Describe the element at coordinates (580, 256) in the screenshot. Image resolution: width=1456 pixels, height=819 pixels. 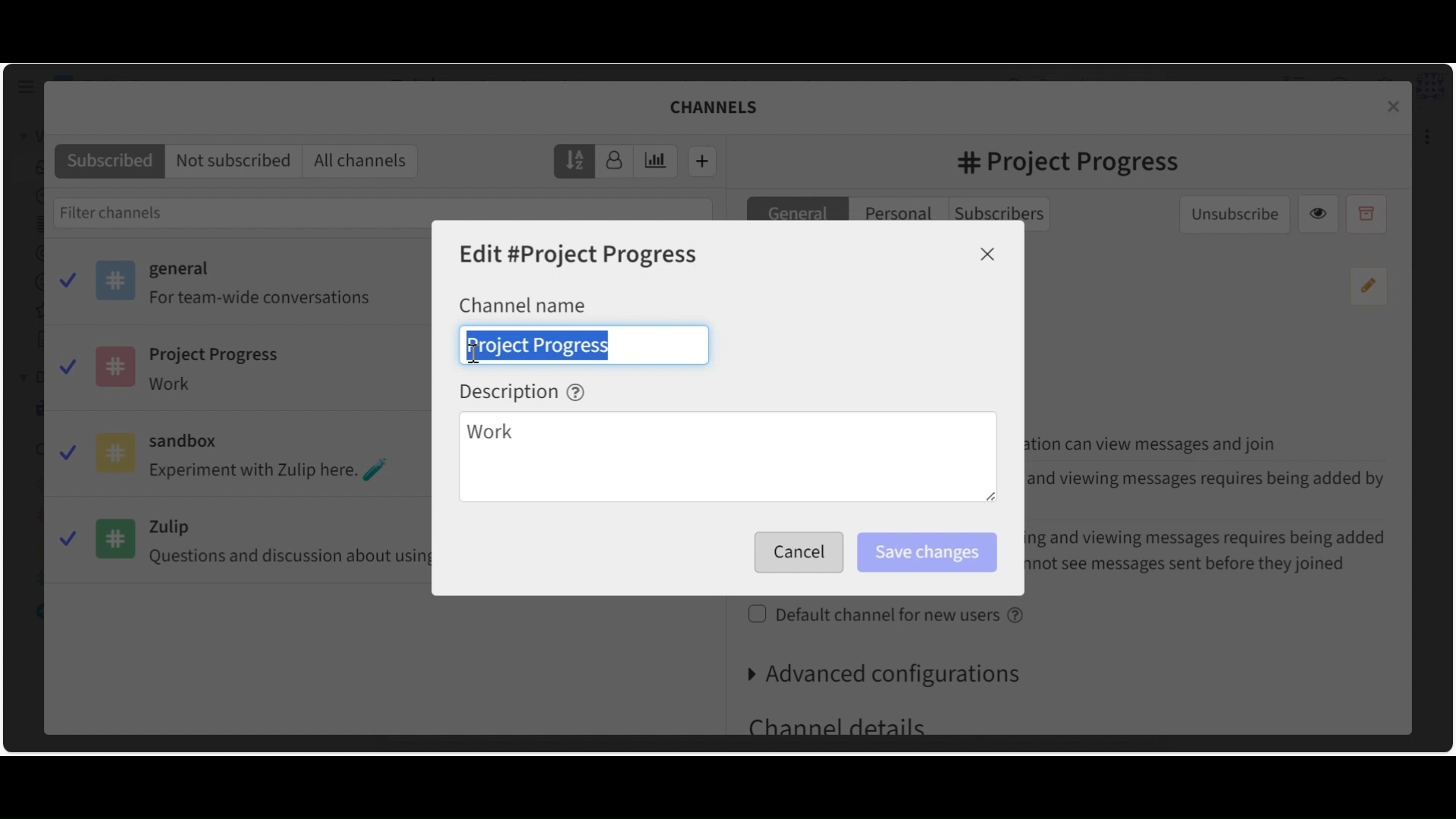
I see `Edit Channel` at that location.